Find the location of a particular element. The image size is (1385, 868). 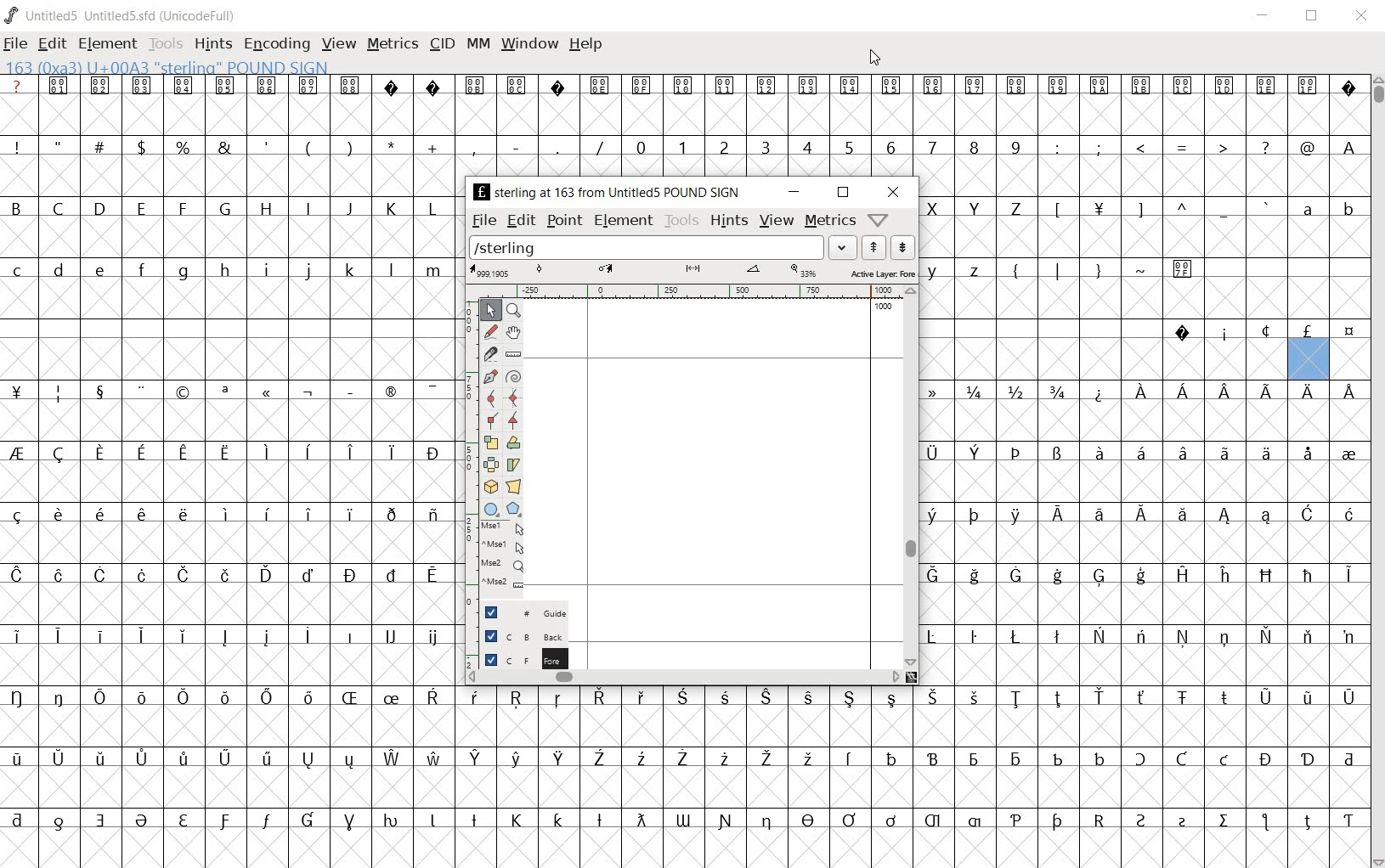

load word list is located at coordinates (843, 246).